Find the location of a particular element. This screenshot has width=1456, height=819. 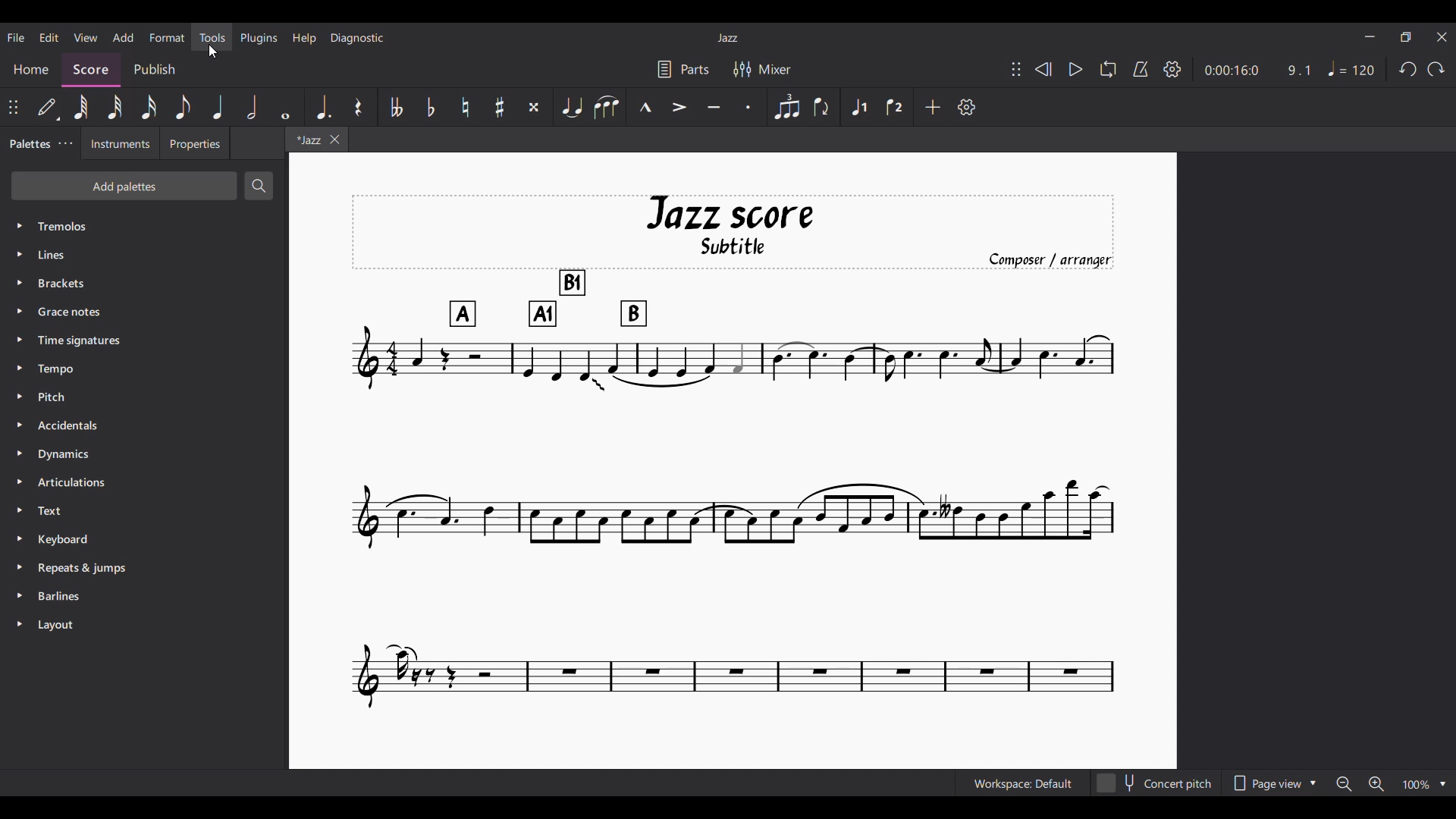

Properties is located at coordinates (194, 143).